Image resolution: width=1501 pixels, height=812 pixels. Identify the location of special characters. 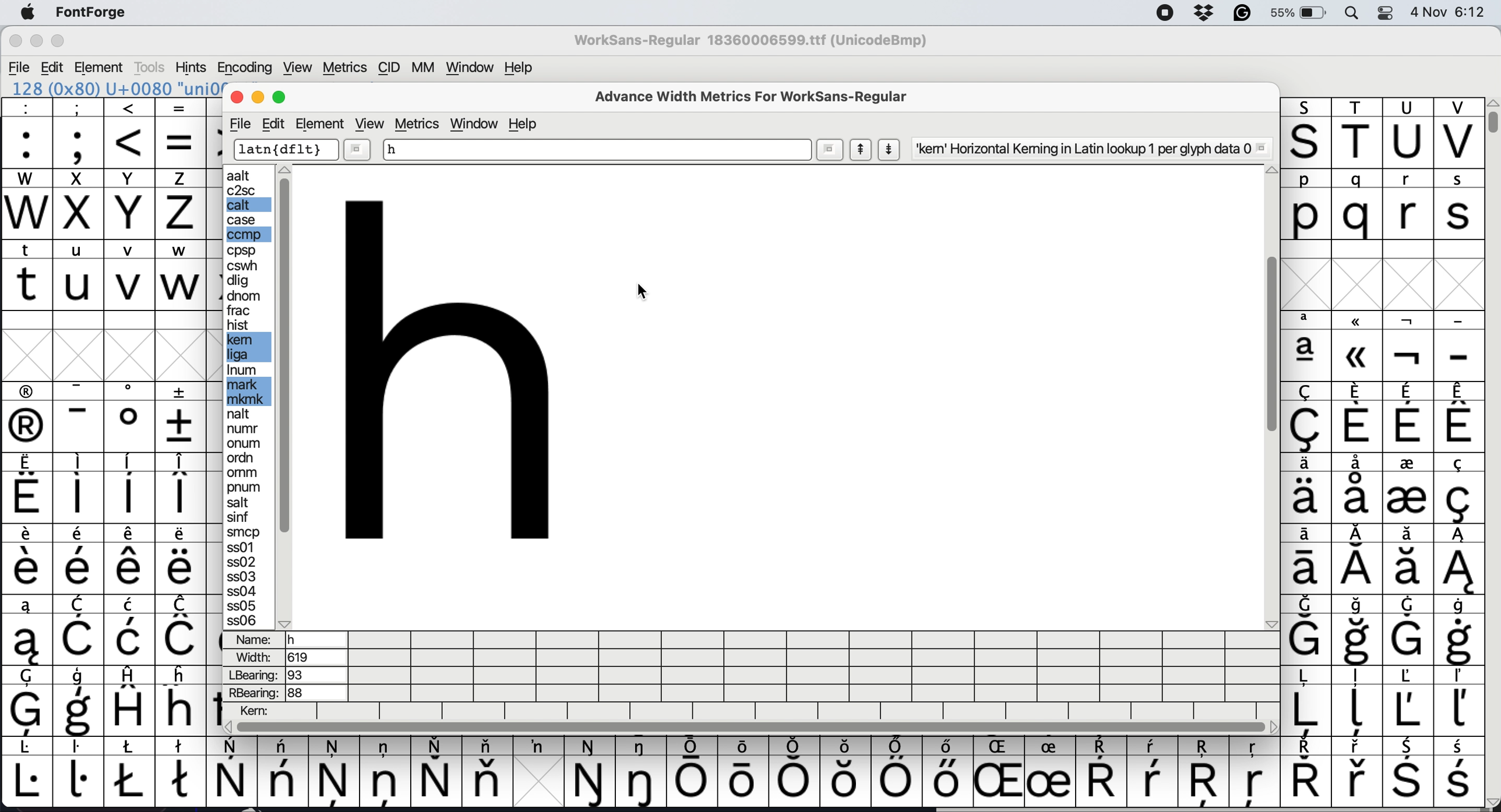
(1383, 709).